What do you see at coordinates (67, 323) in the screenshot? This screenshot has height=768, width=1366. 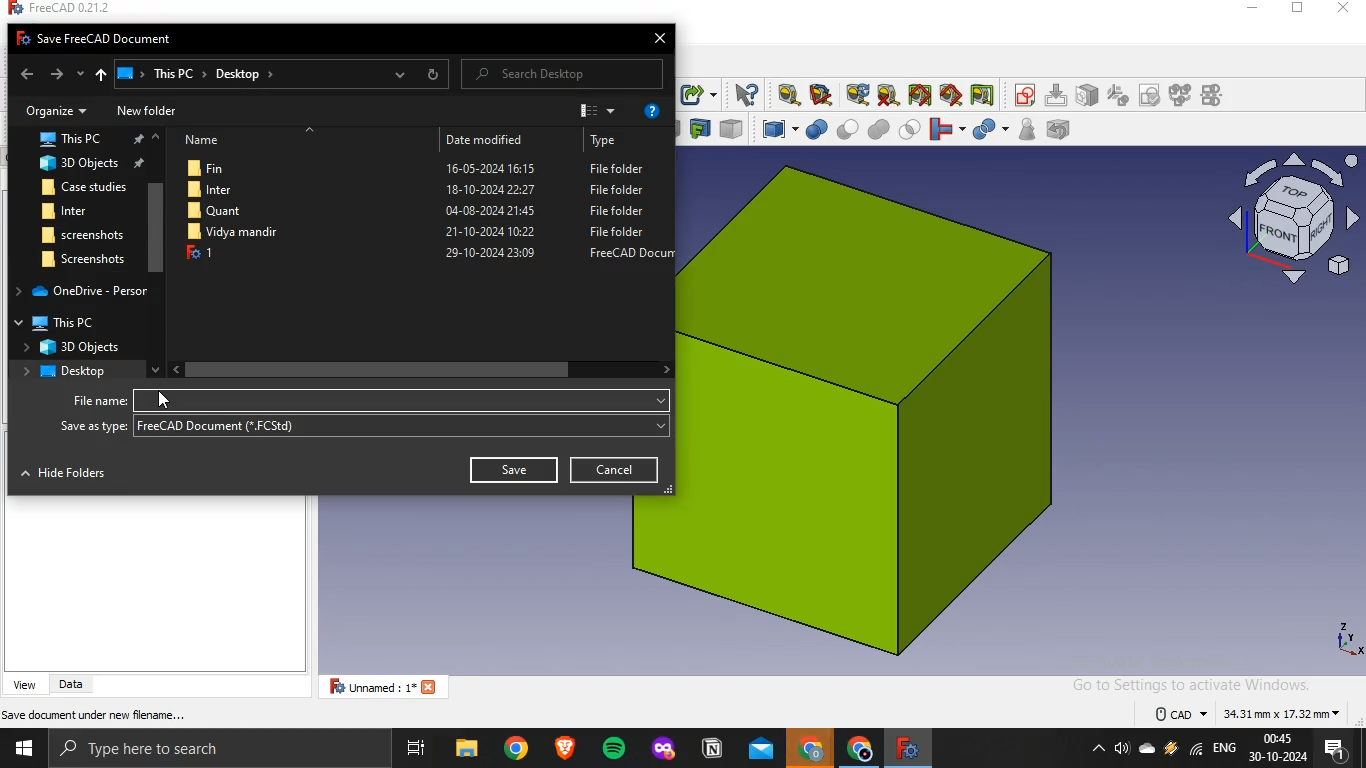 I see `This PC` at bounding box center [67, 323].